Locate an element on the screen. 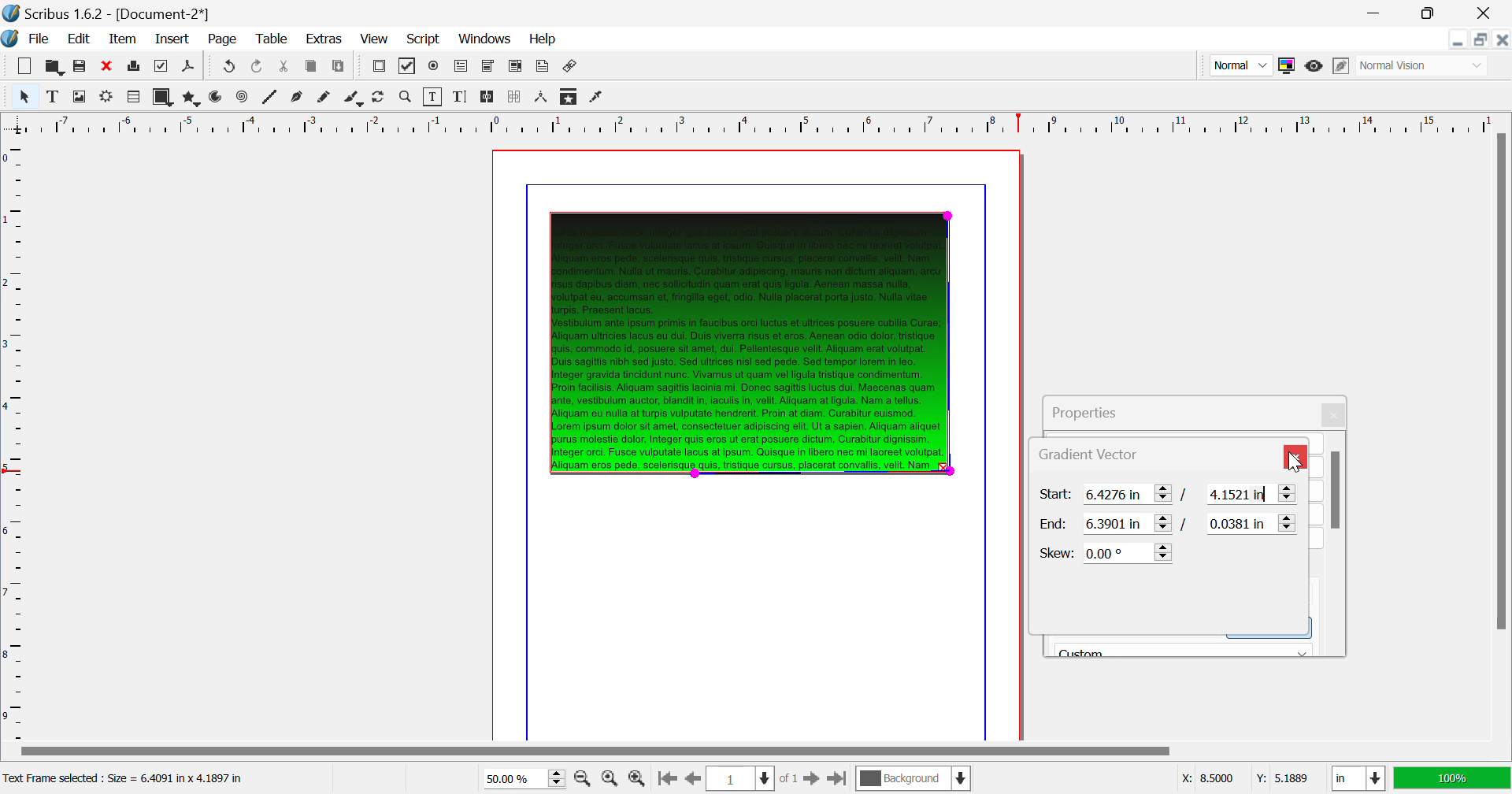  Cut is located at coordinates (285, 68).